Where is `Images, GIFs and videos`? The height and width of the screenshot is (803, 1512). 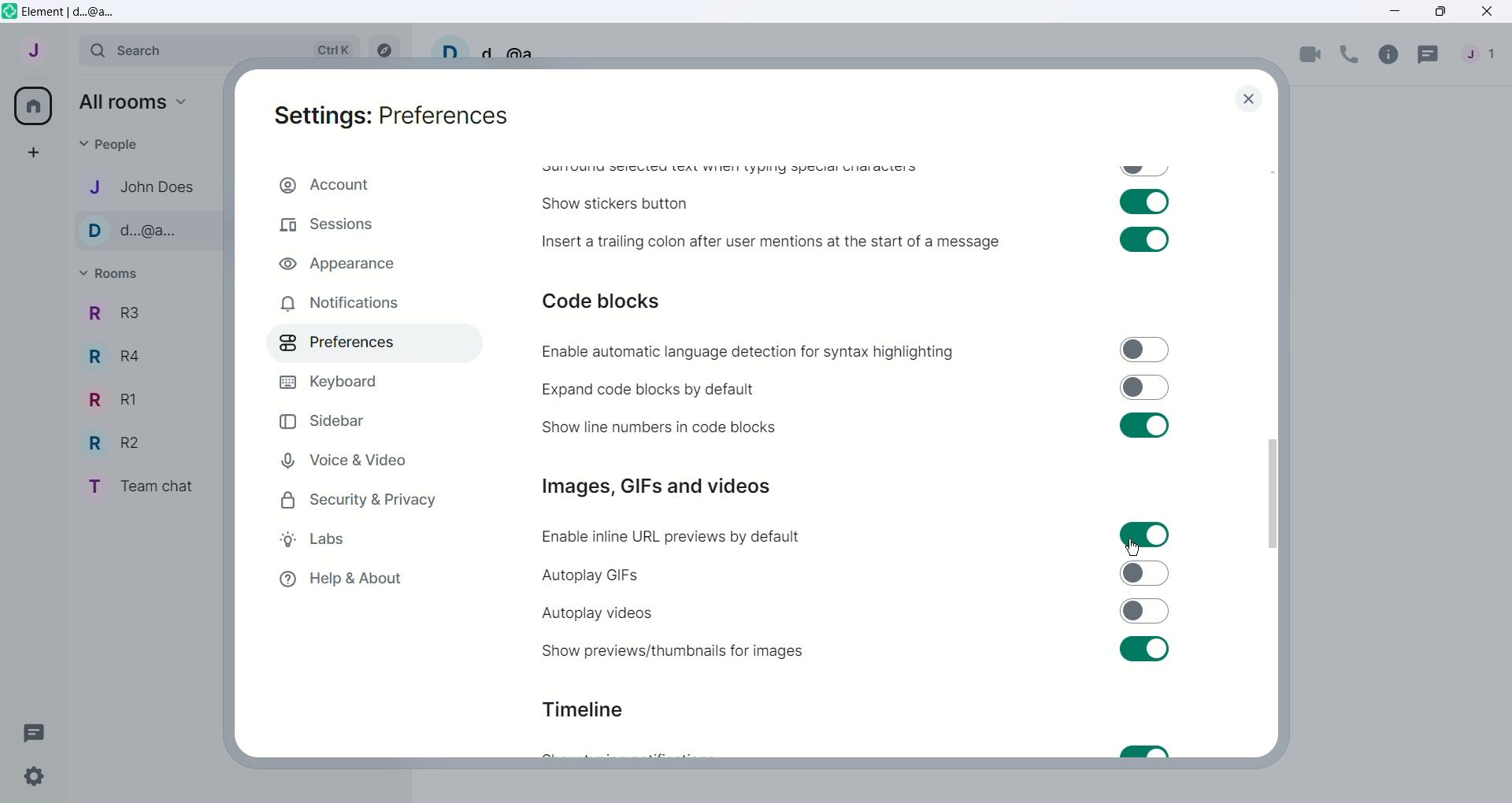
Images, GIFs and videos is located at coordinates (655, 487).